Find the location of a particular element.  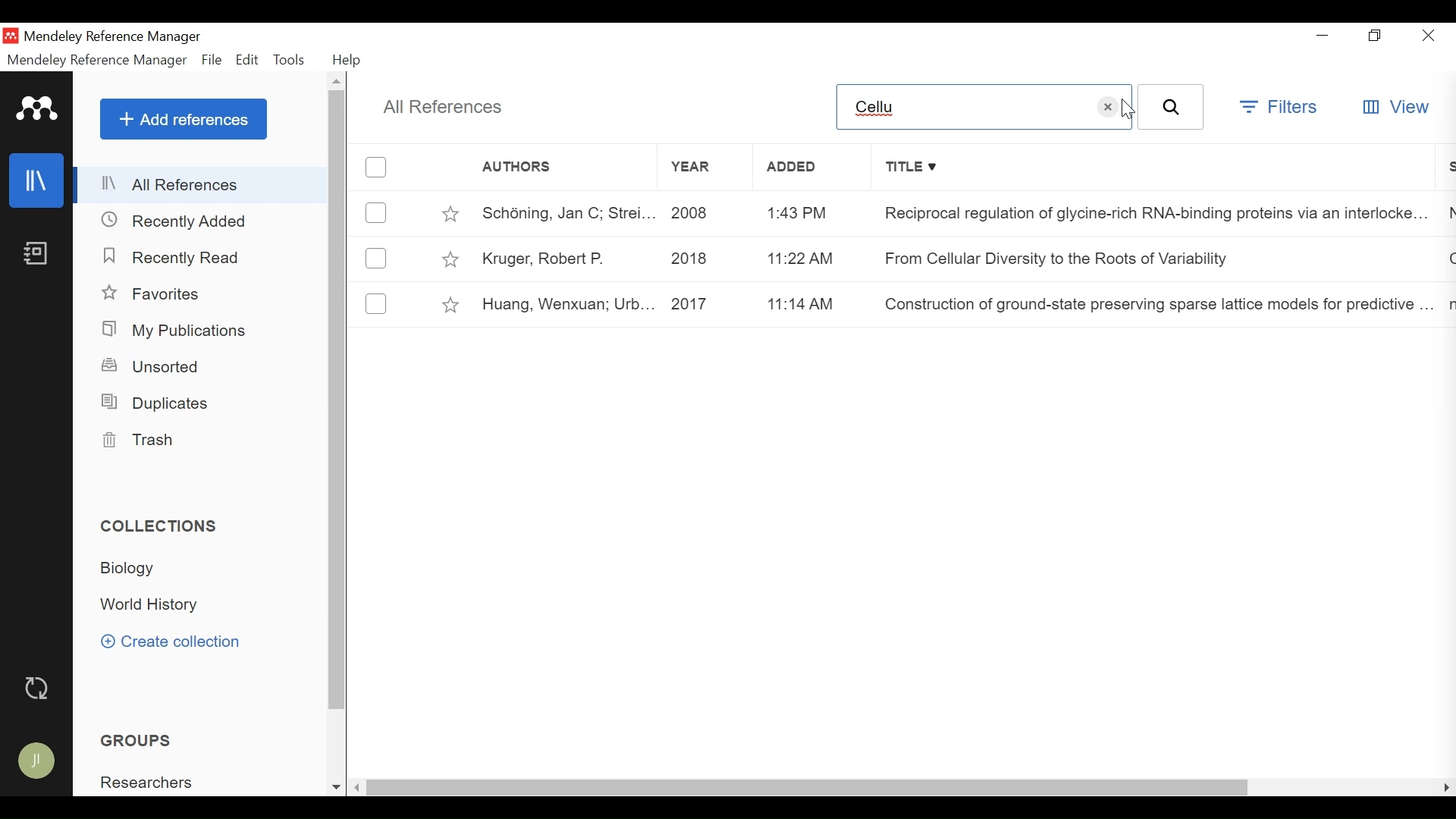

Vertical Scroll bar is located at coordinates (338, 400).